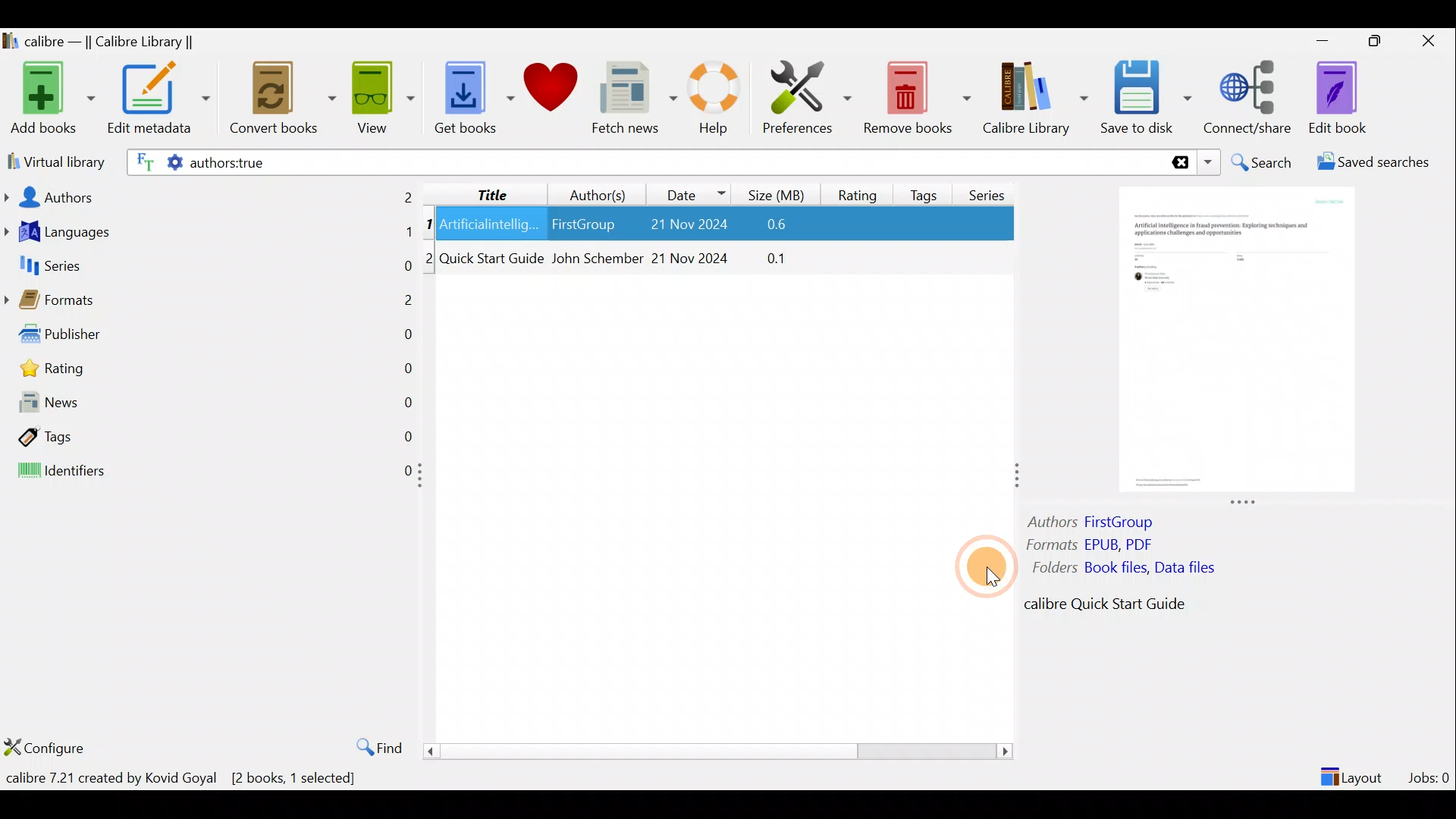 The height and width of the screenshot is (819, 1456). I want to click on Rating, so click(215, 372).